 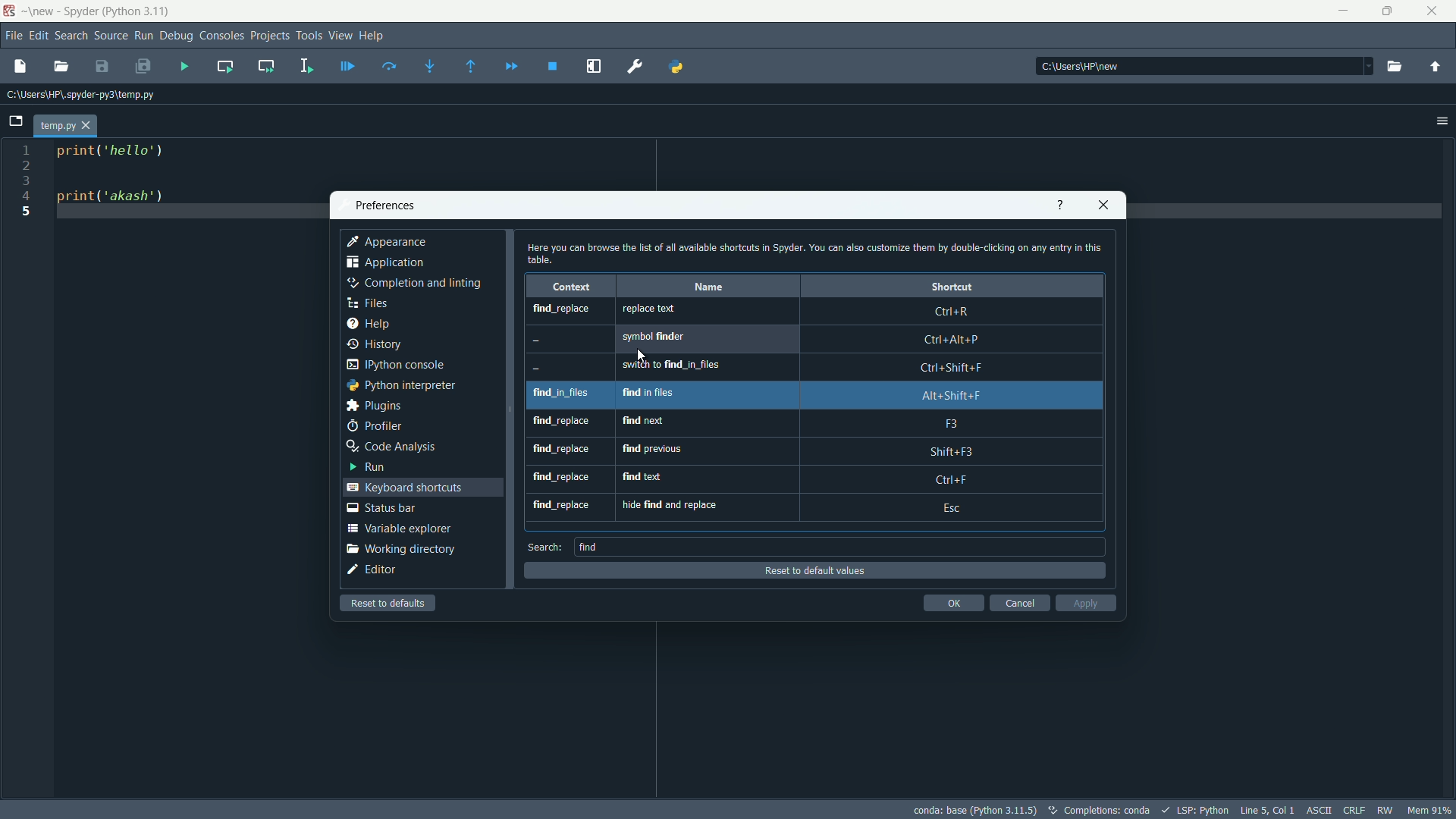 I want to click on help, so click(x=1053, y=206).